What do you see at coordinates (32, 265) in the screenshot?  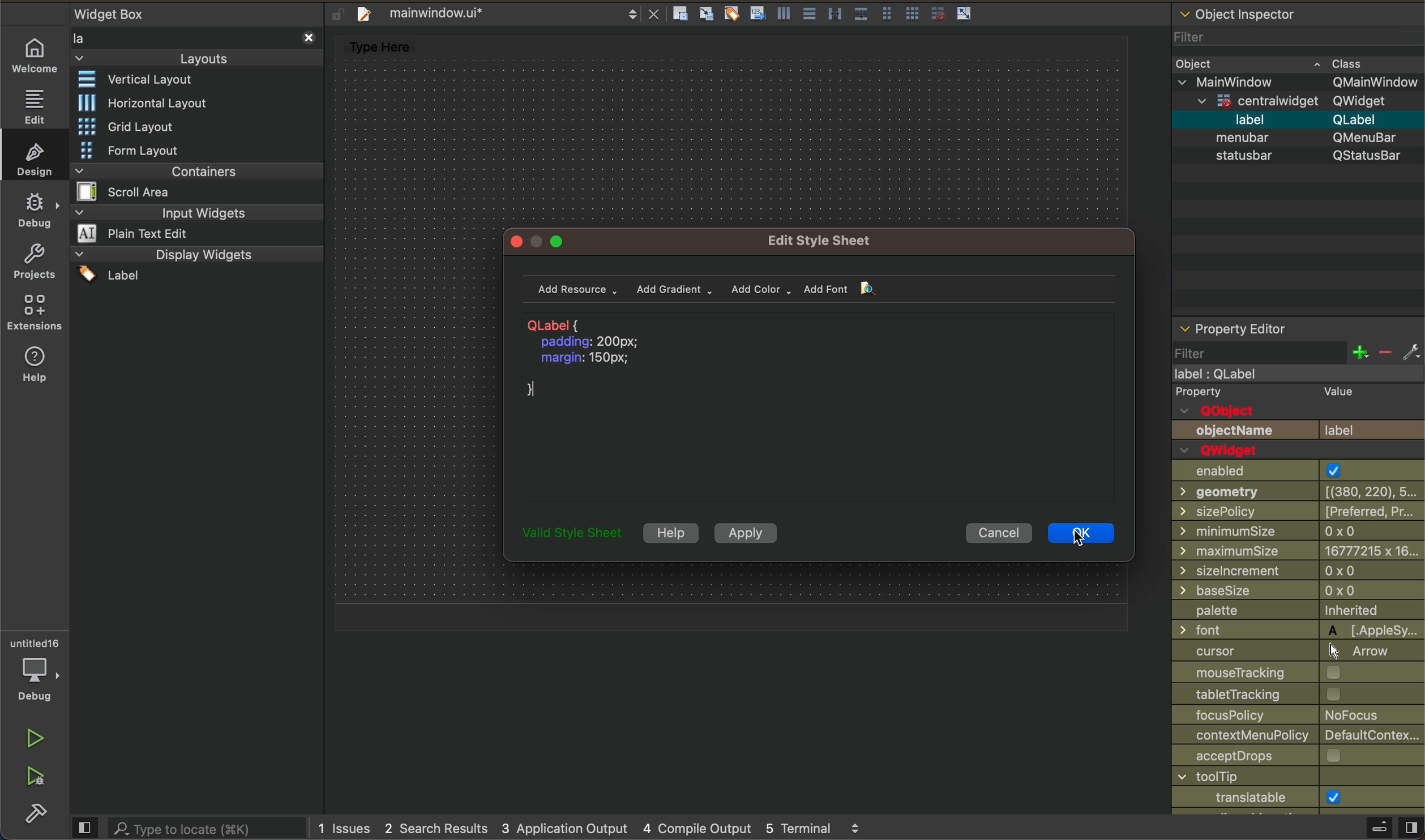 I see `projects` at bounding box center [32, 265].